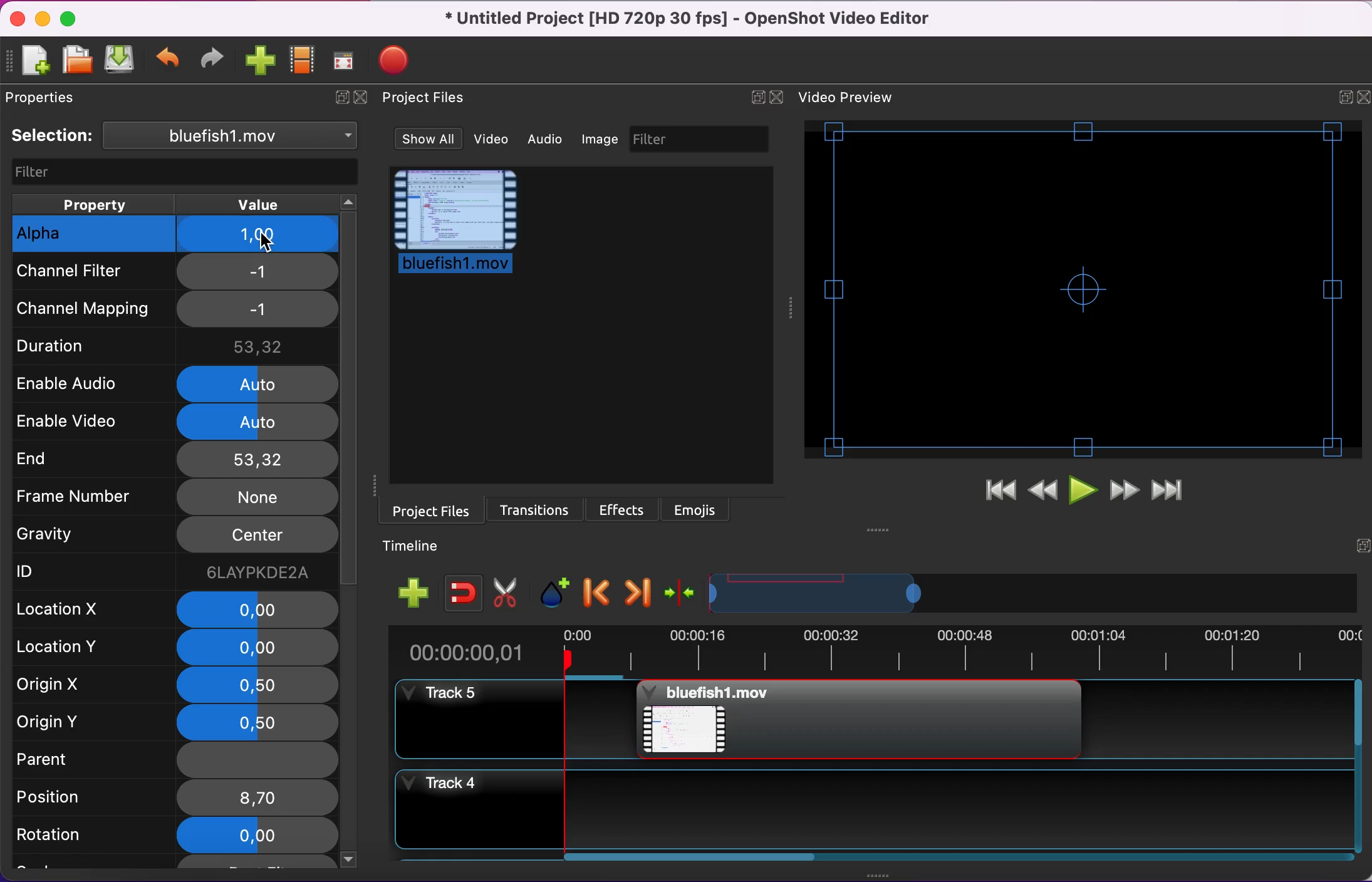  I want to click on video preview, so click(855, 98).